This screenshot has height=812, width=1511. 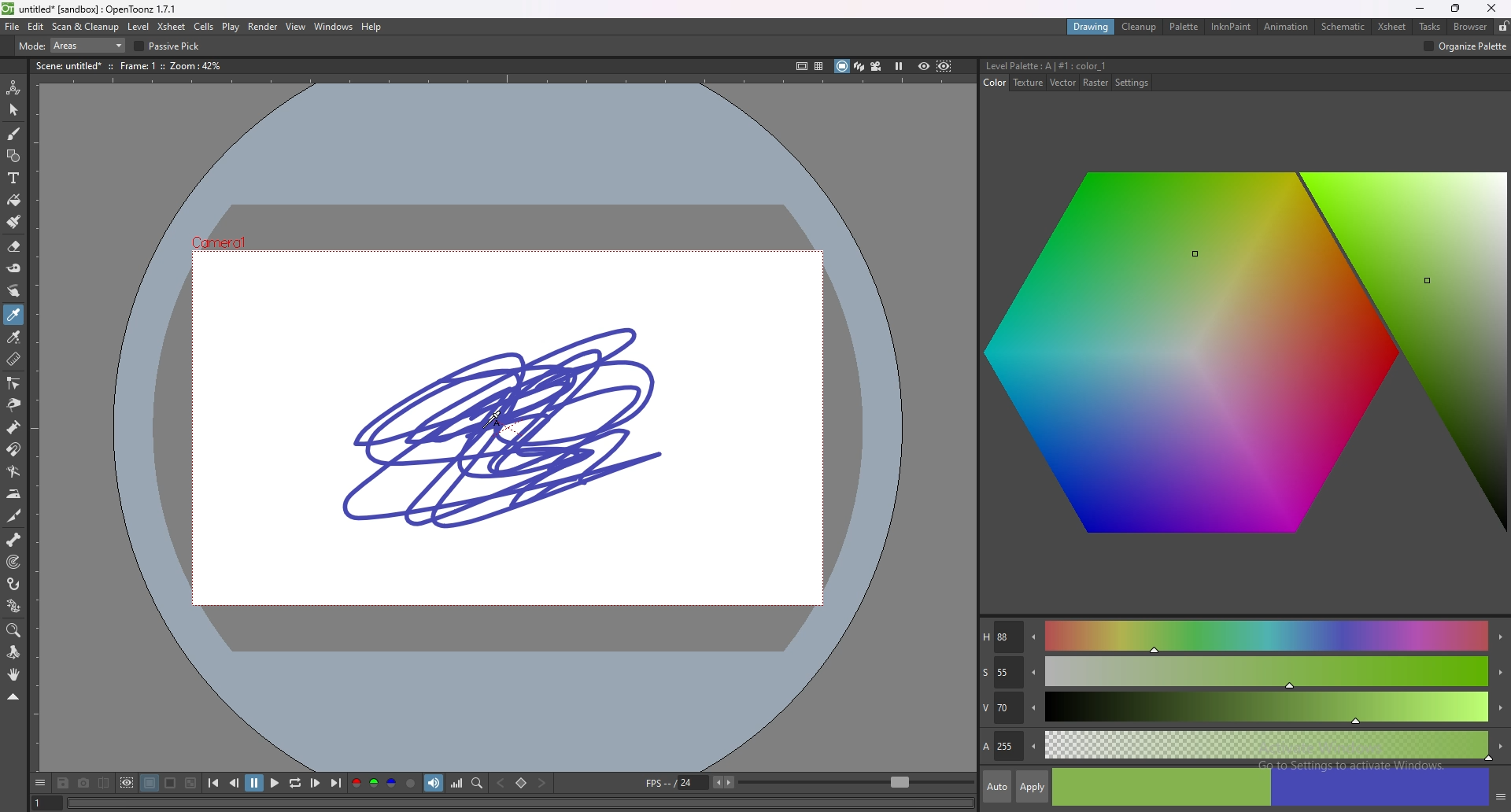 What do you see at coordinates (1465, 47) in the screenshot?
I see `organize palette` at bounding box center [1465, 47].